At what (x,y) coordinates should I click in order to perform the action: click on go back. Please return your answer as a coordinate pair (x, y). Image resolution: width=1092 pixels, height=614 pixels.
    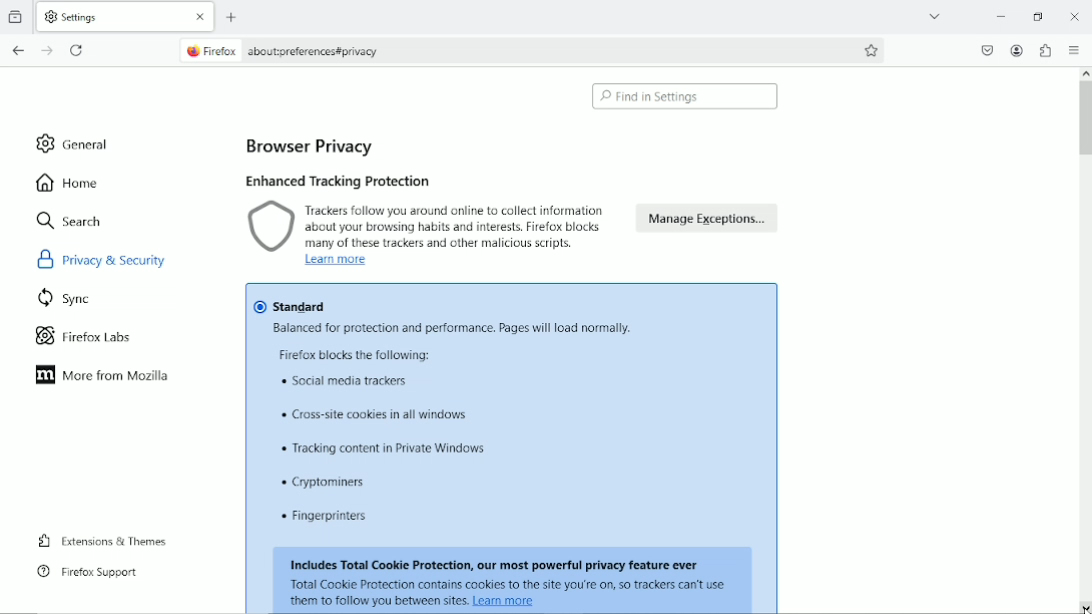
    Looking at the image, I should click on (19, 50).